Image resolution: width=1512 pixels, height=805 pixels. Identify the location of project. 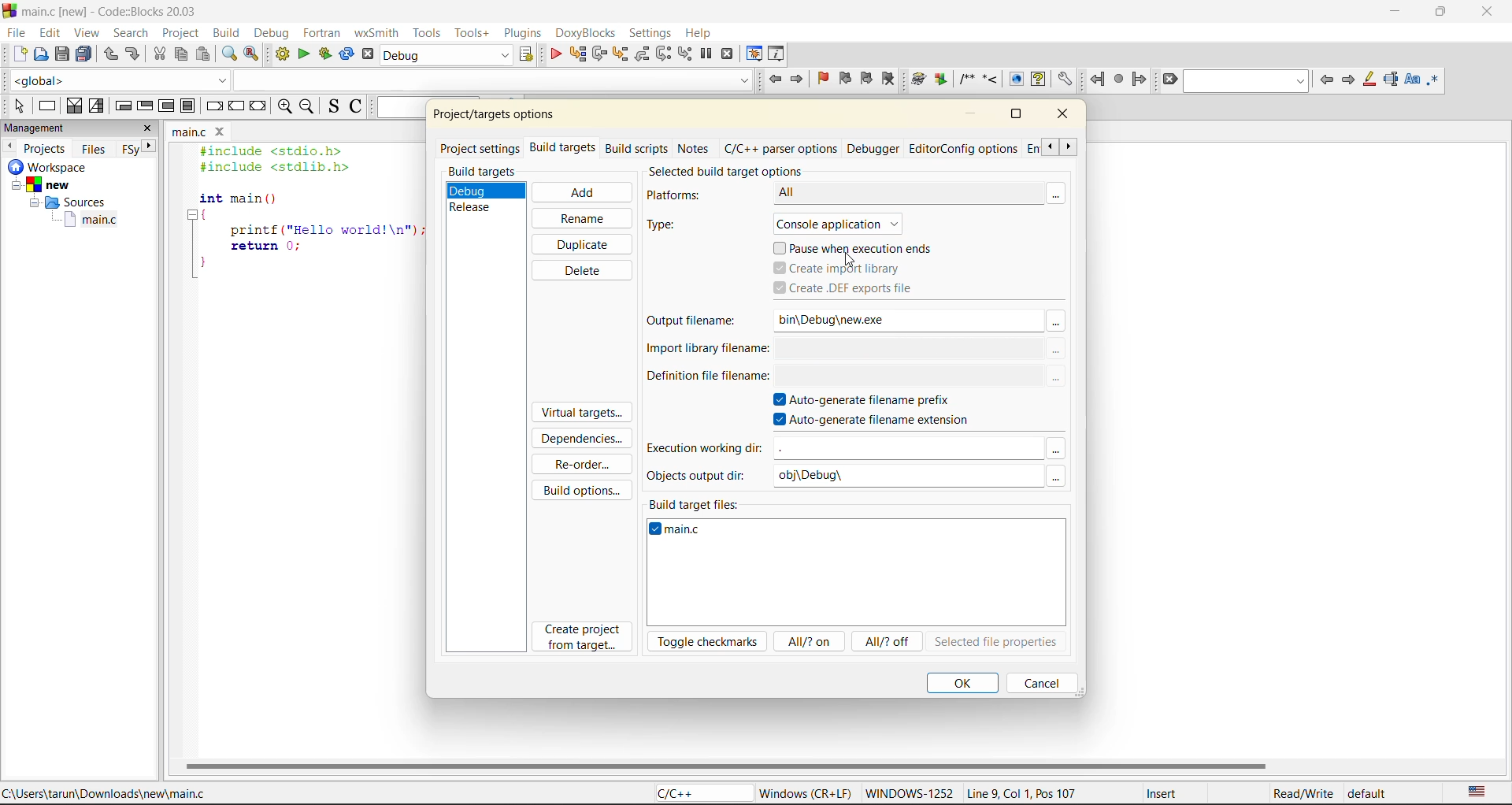
(180, 34).